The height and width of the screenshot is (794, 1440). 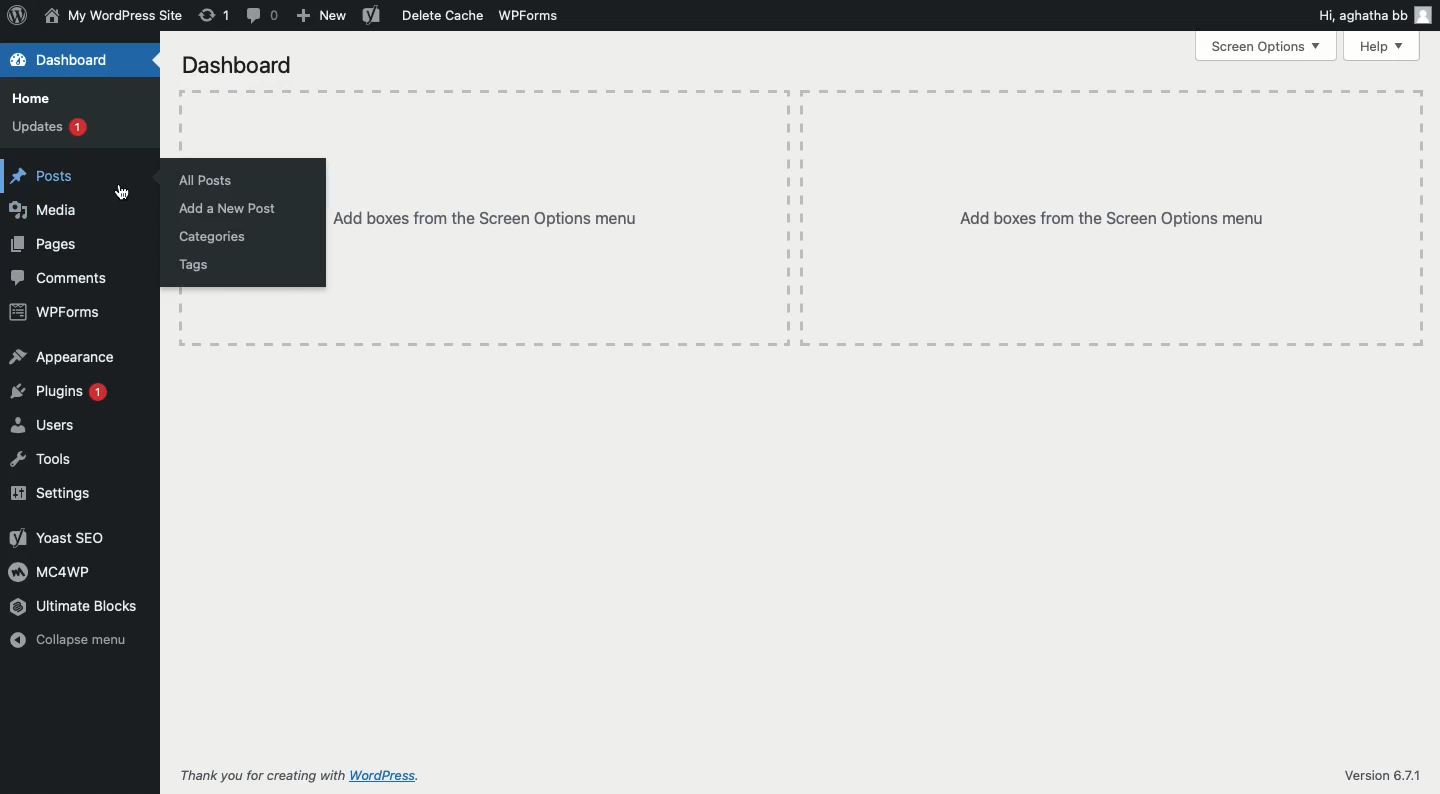 I want to click on Yoast, so click(x=370, y=15).